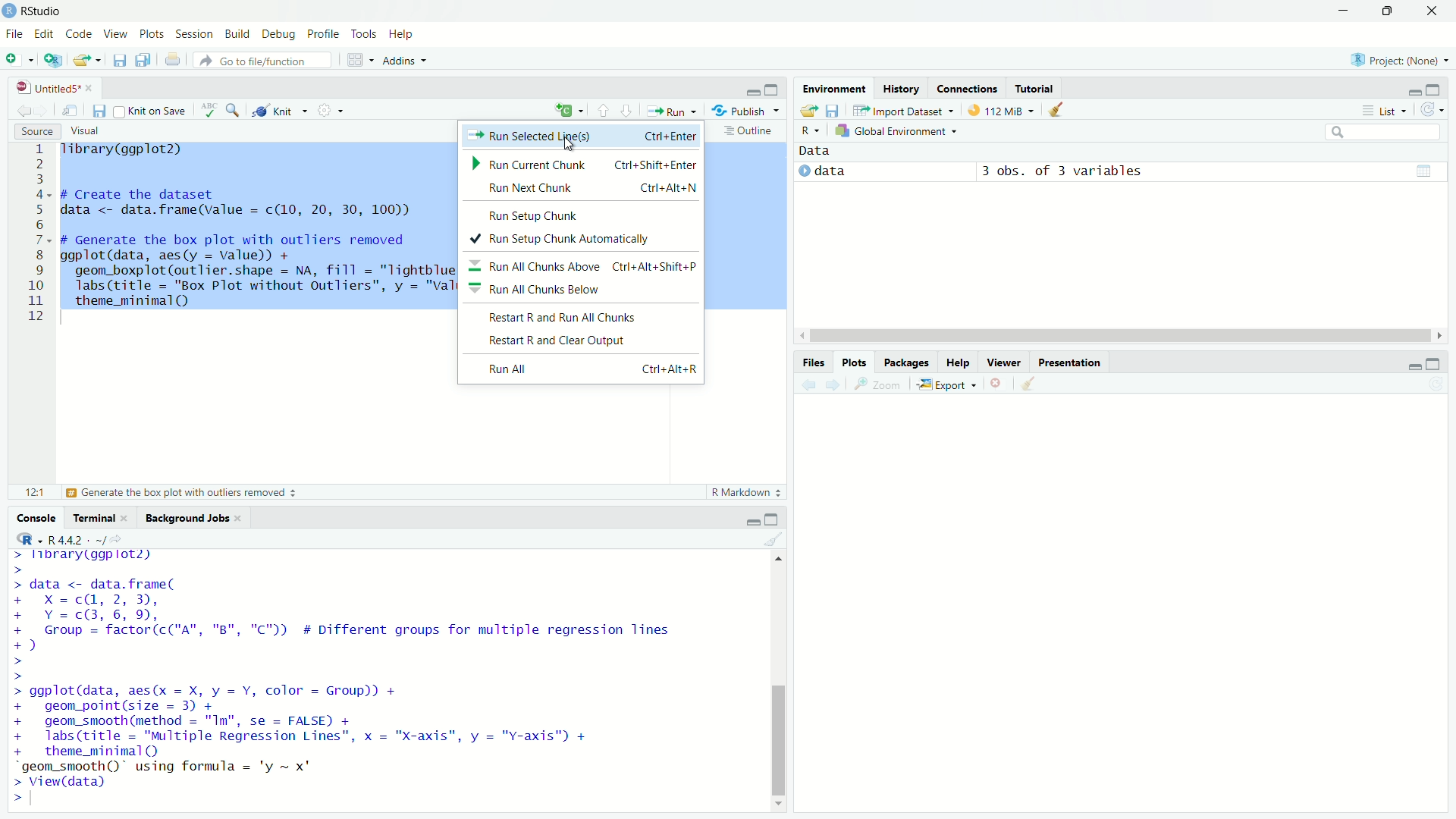 The height and width of the screenshot is (819, 1456). What do you see at coordinates (36, 10) in the screenshot?
I see `RStudio` at bounding box center [36, 10].